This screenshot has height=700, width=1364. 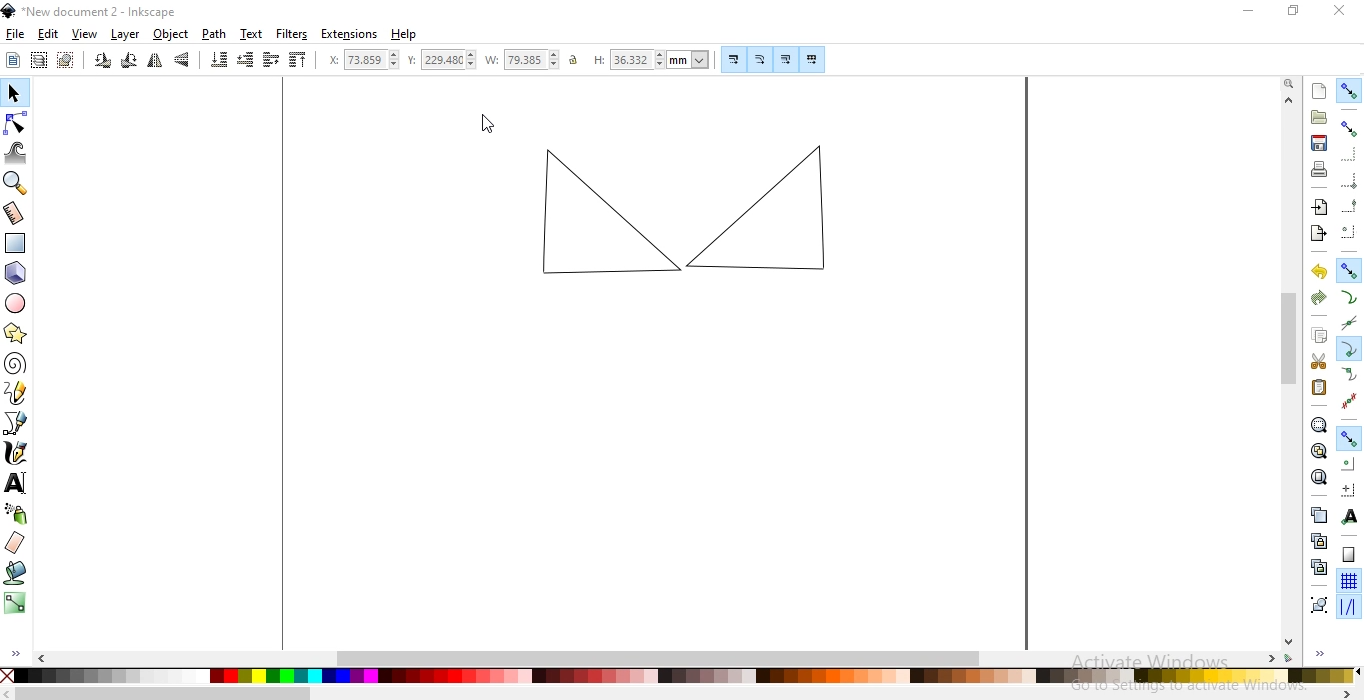 What do you see at coordinates (247, 61) in the screenshot?
I see `lower selection one step` at bounding box center [247, 61].